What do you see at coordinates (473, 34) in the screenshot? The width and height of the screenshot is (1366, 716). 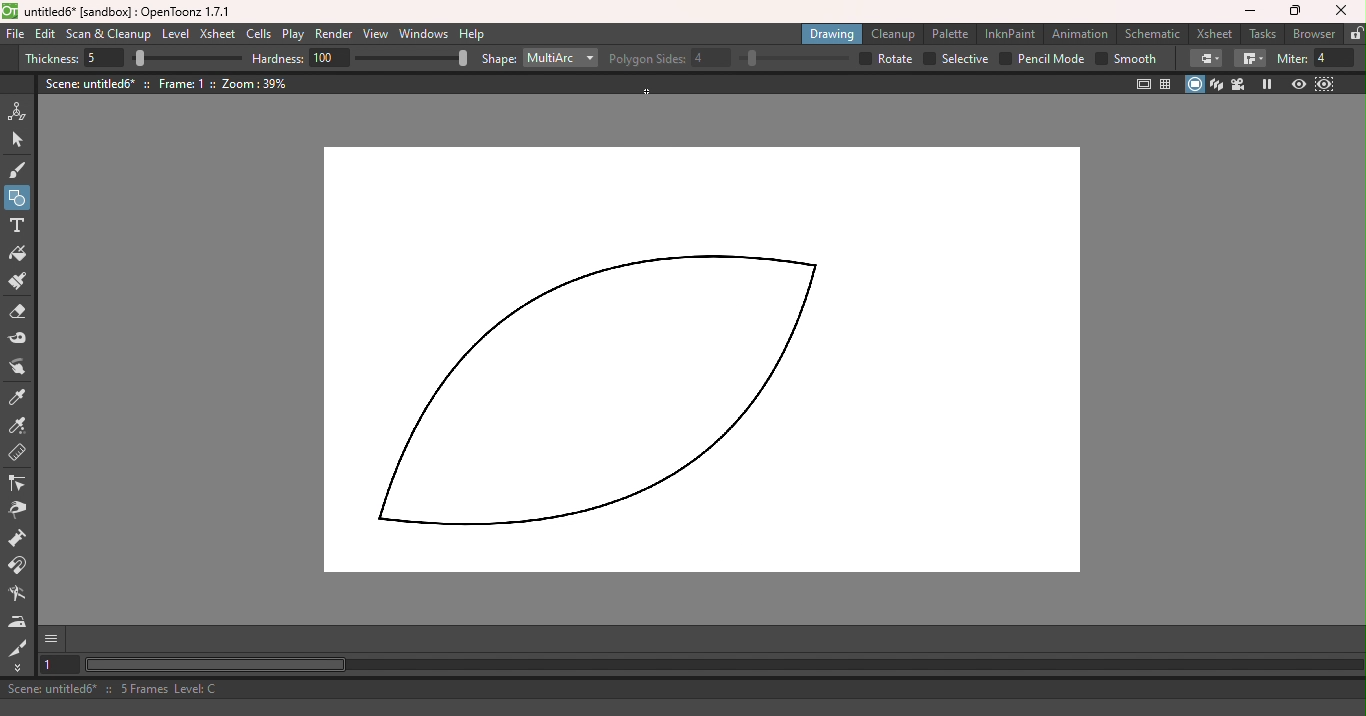 I see `Help` at bounding box center [473, 34].